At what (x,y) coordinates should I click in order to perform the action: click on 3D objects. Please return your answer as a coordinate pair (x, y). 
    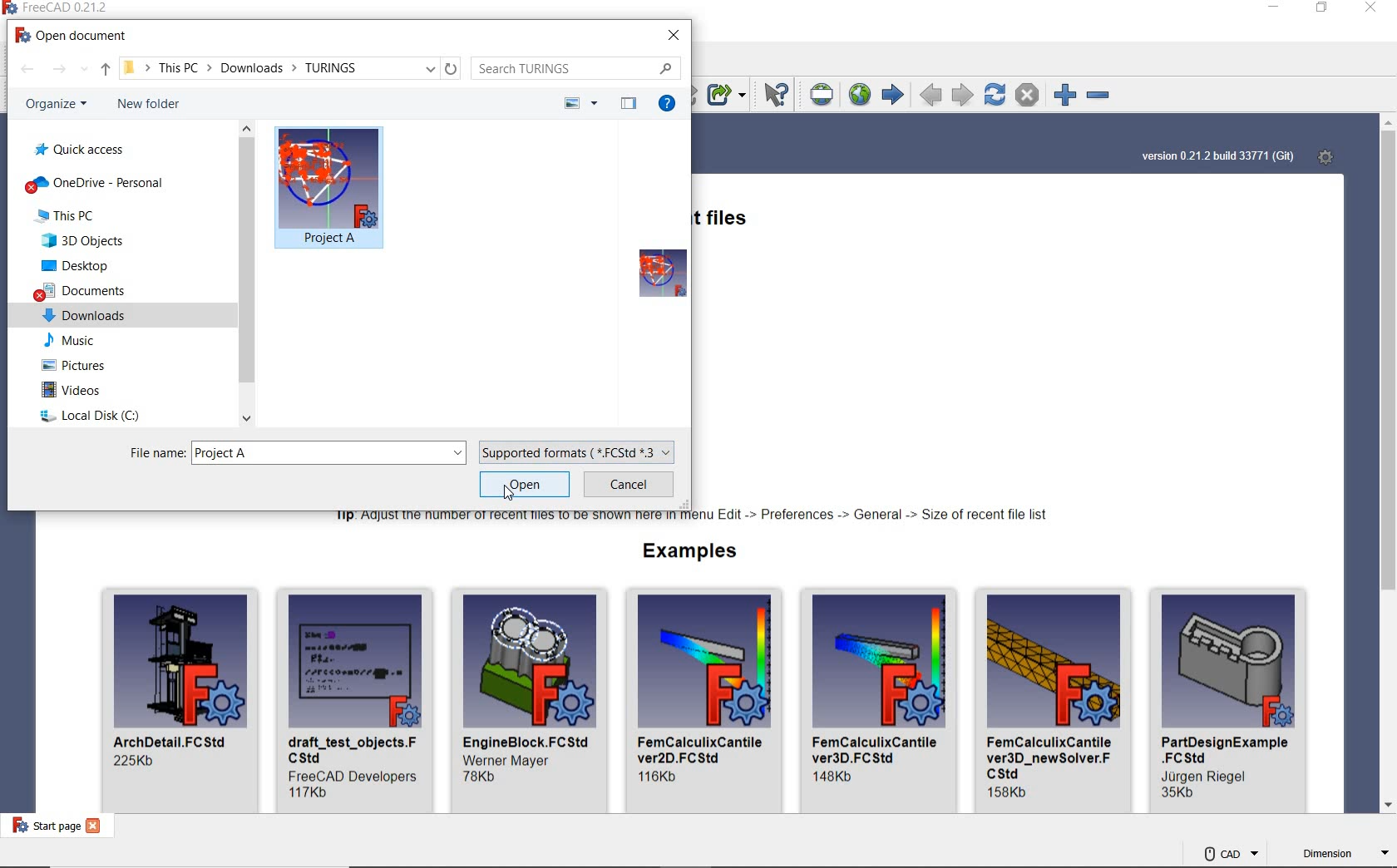
    Looking at the image, I should click on (86, 242).